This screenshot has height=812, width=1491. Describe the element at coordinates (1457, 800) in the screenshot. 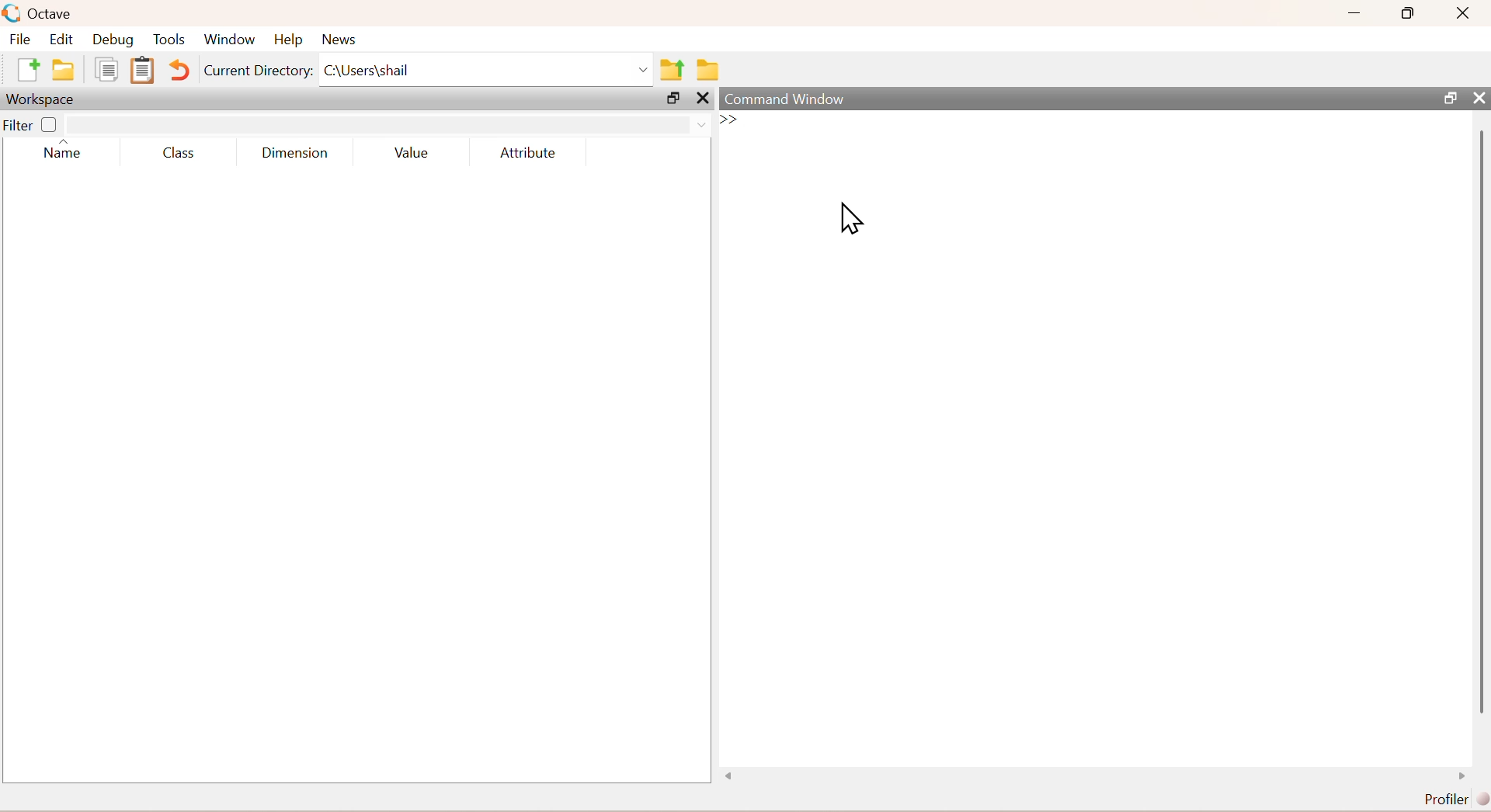

I see `Profiler` at that location.